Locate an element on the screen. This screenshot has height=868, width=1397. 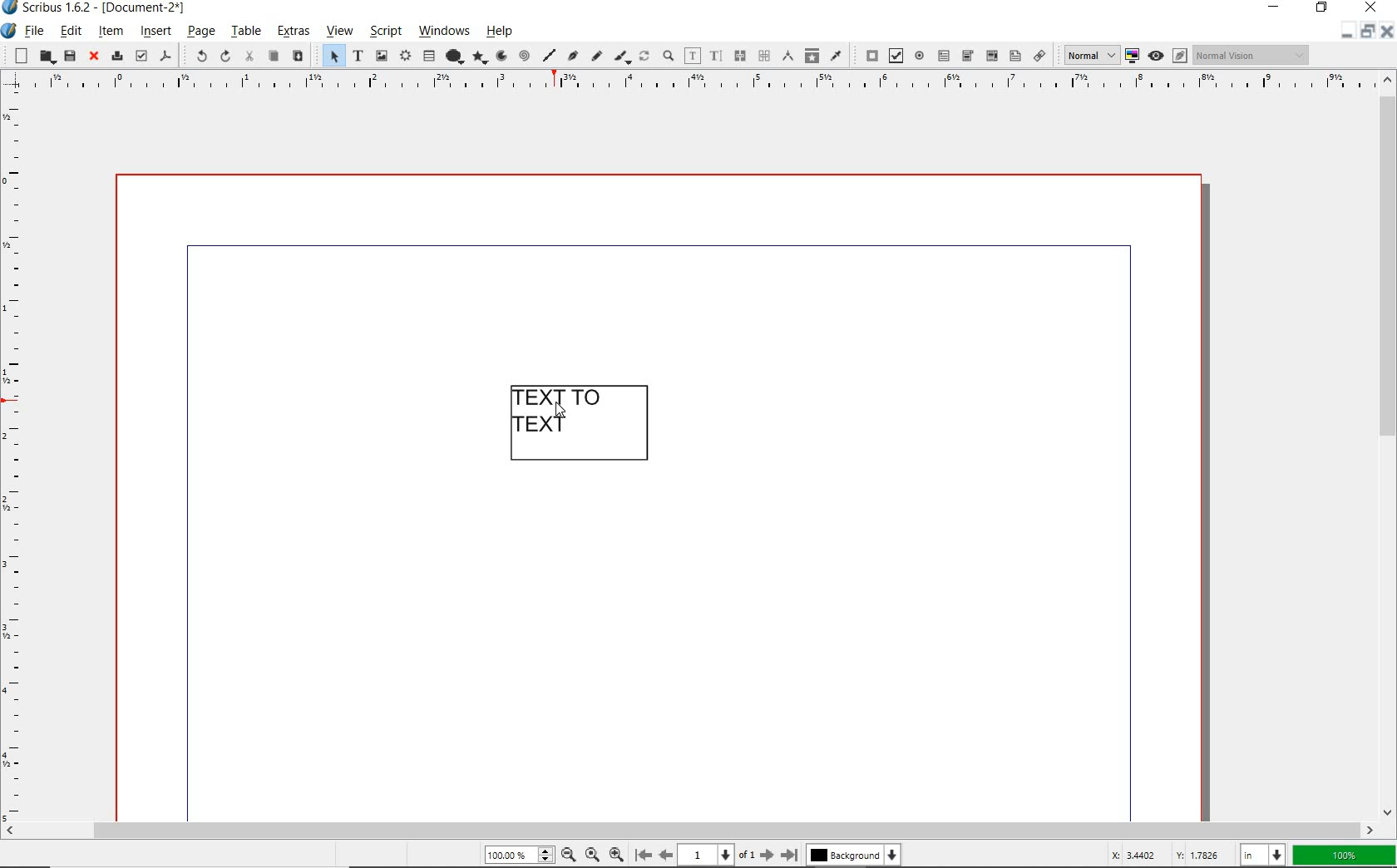
zoom level is located at coordinates (522, 856).